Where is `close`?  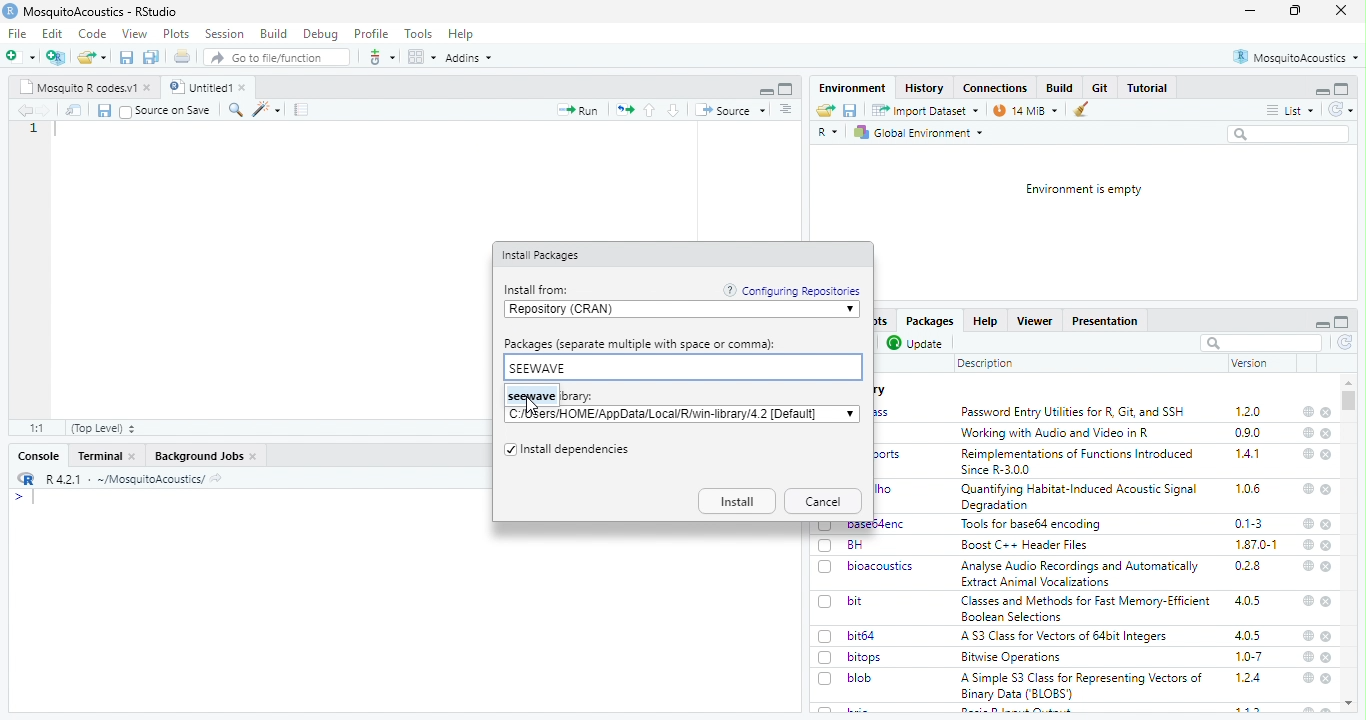
close is located at coordinates (1326, 434).